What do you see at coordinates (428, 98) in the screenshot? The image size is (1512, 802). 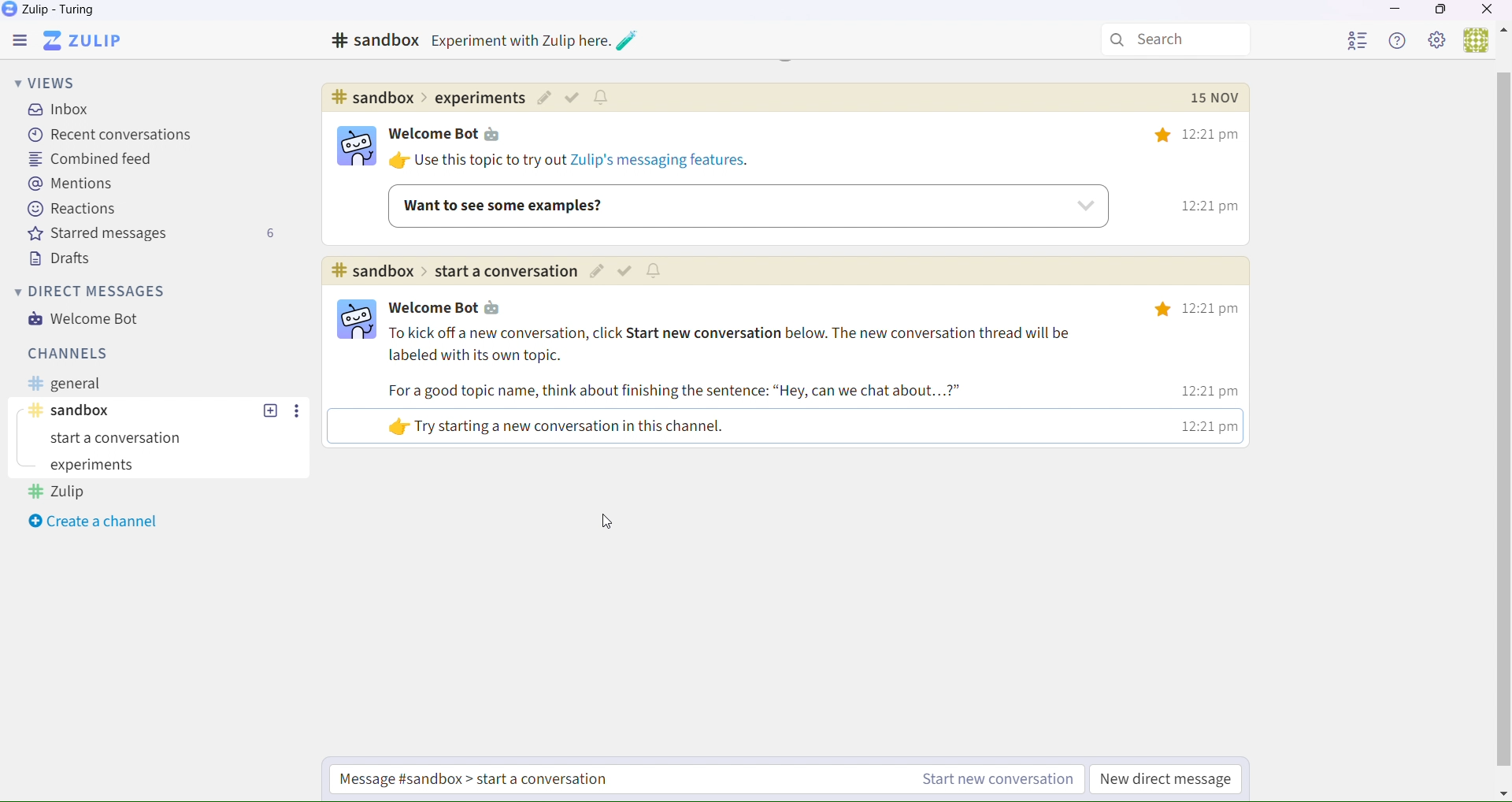 I see `` at bounding box center [428, 98].